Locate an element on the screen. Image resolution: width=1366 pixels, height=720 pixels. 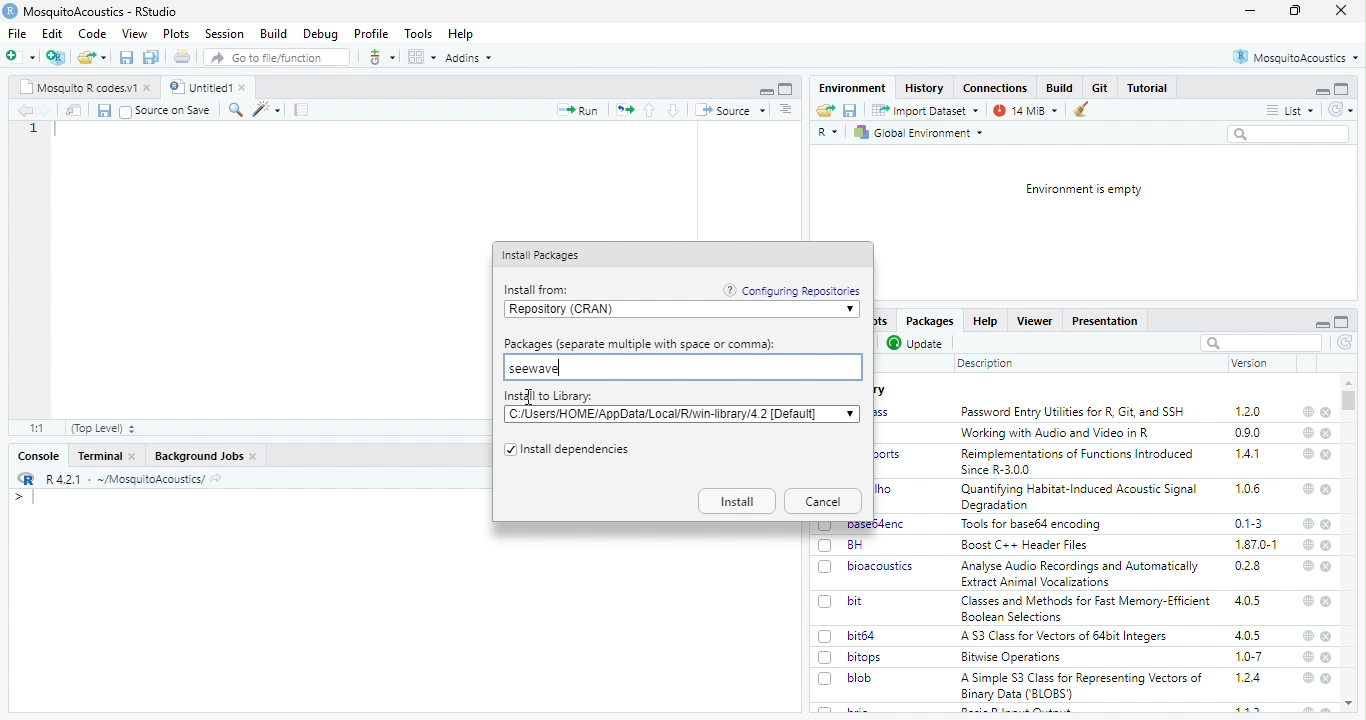
Tutorial is located at coordinates (1148, 88).